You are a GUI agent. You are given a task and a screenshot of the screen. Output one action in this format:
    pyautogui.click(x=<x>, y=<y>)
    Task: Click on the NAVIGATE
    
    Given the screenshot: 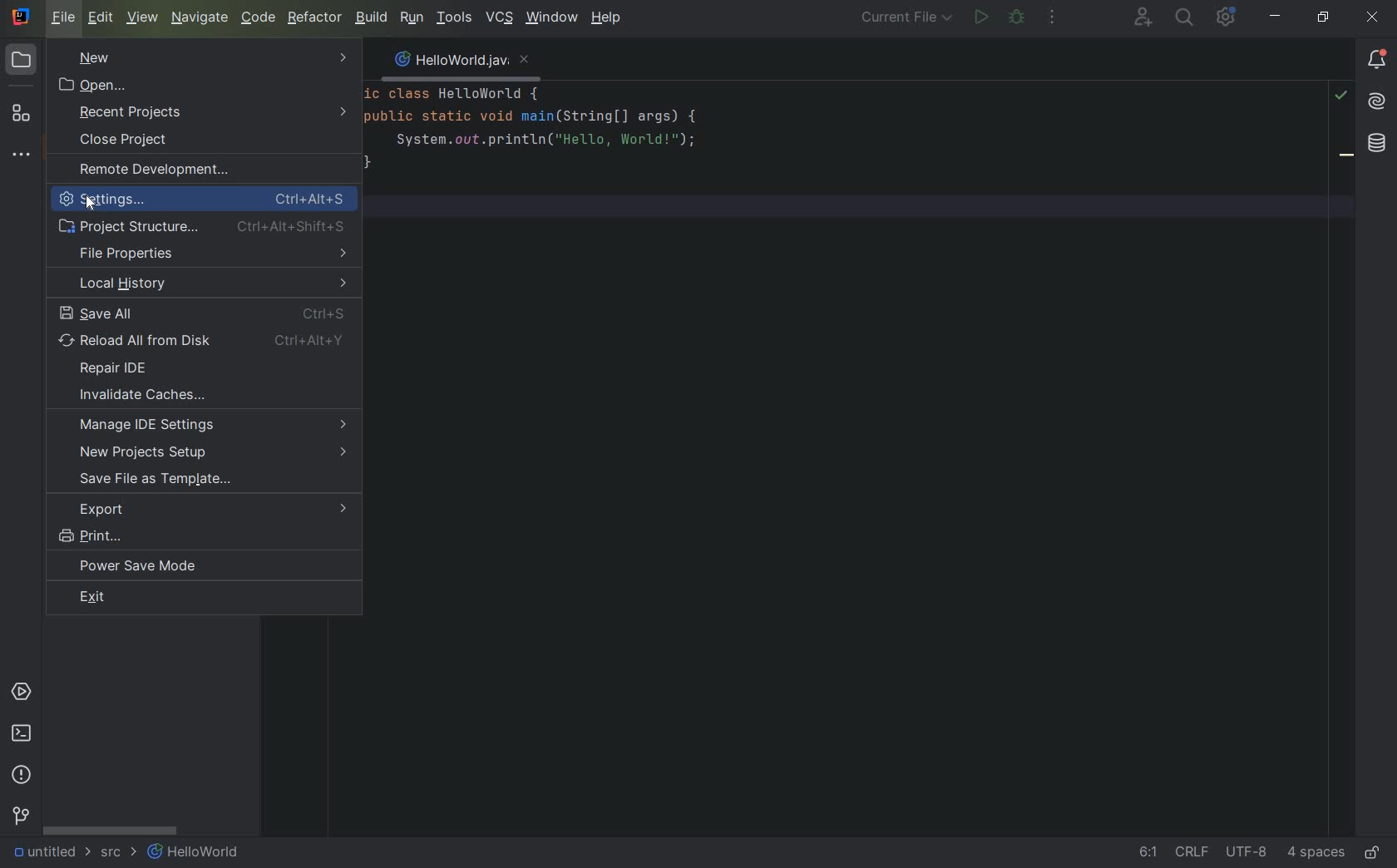 What is the action you would take?
    pyautogui.click(x=199, y=17)
    